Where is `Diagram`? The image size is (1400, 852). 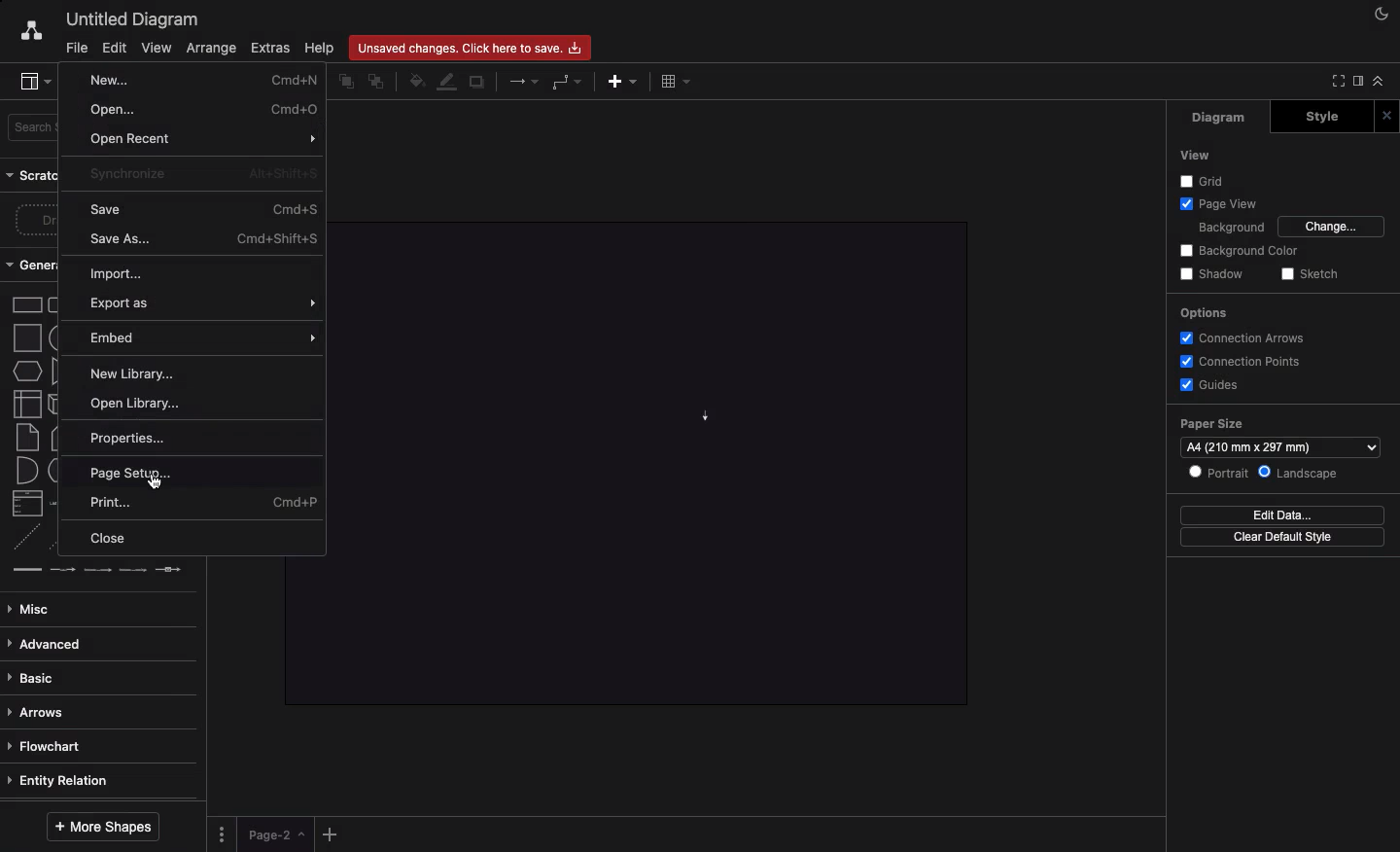
Diagram is located at coordinates (1220, 118).